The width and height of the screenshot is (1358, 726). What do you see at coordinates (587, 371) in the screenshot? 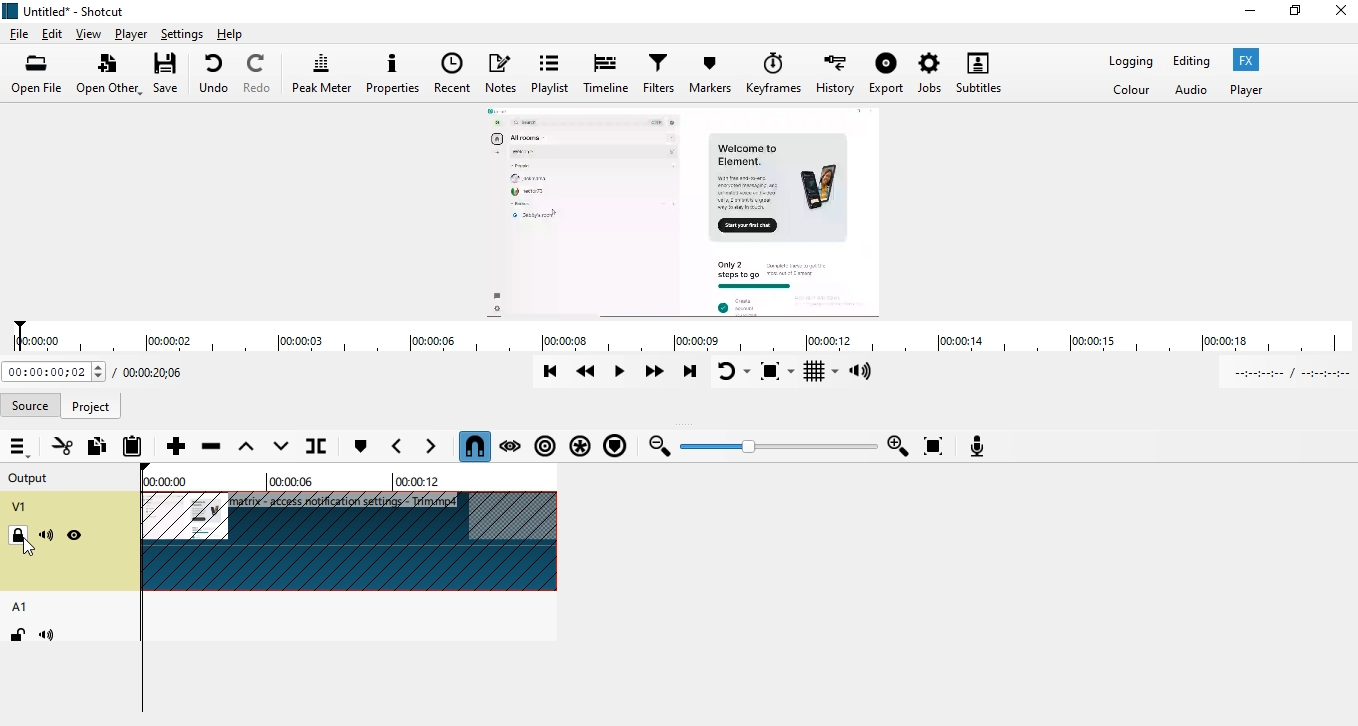
I see `Play quickly backwards` at bounding box center [587, 371].